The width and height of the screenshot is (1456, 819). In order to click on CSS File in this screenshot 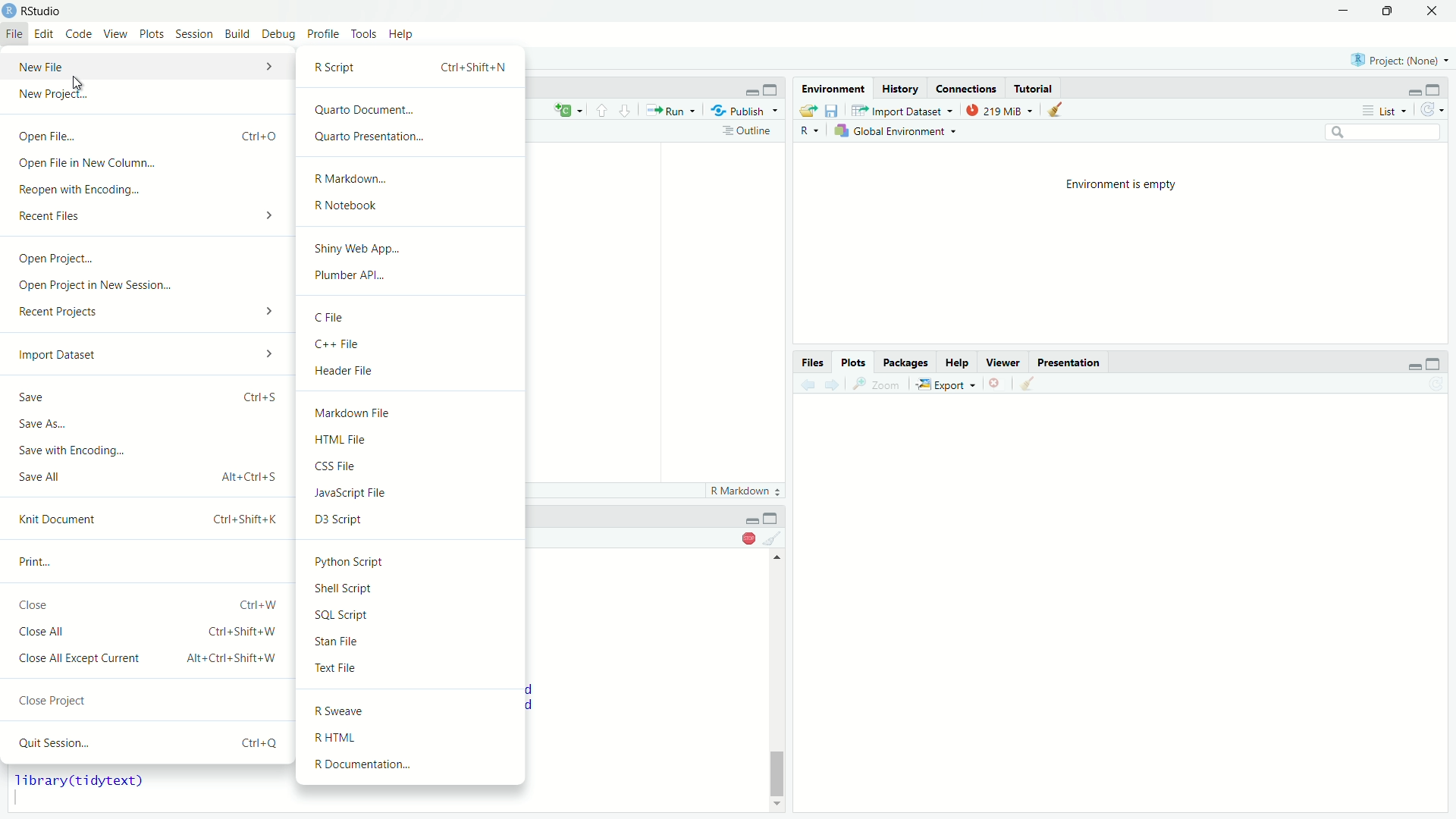, I will do `click(414, 463)`.